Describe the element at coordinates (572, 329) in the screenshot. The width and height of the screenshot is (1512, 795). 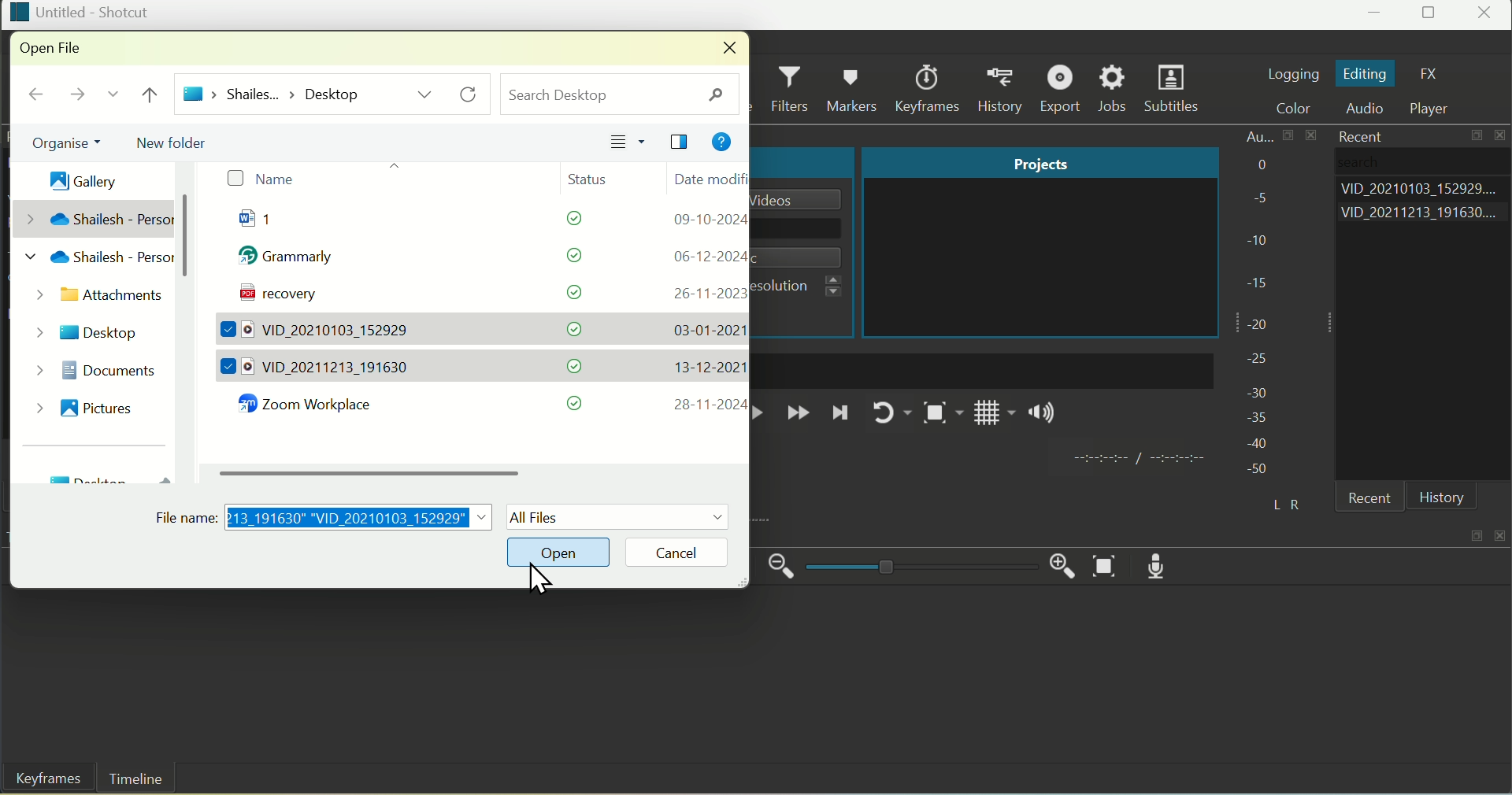
I see `status` at that location.